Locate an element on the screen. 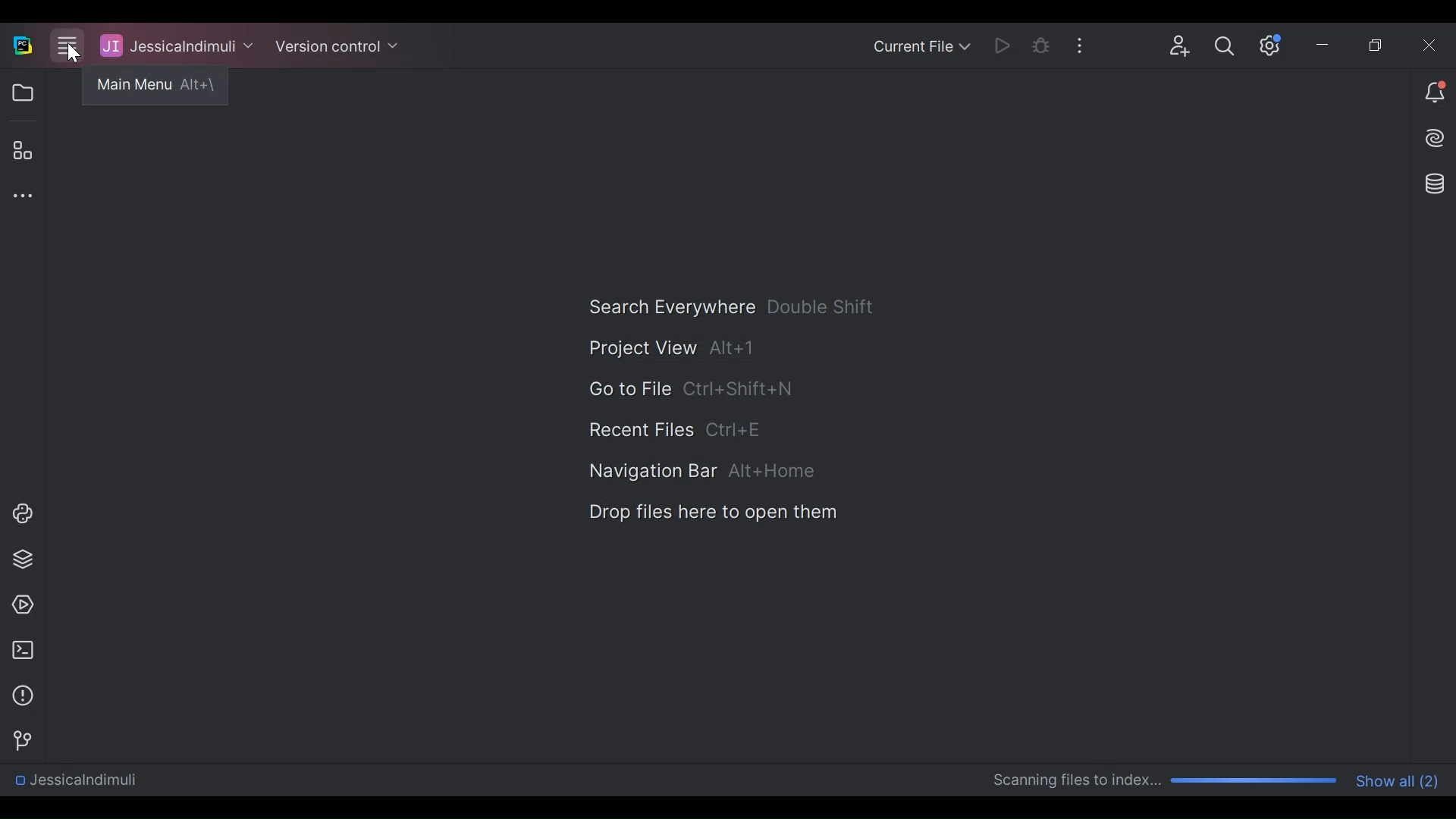 This screenshot has height=819, width=1456. Go to File is located at coordinates (689, 390).